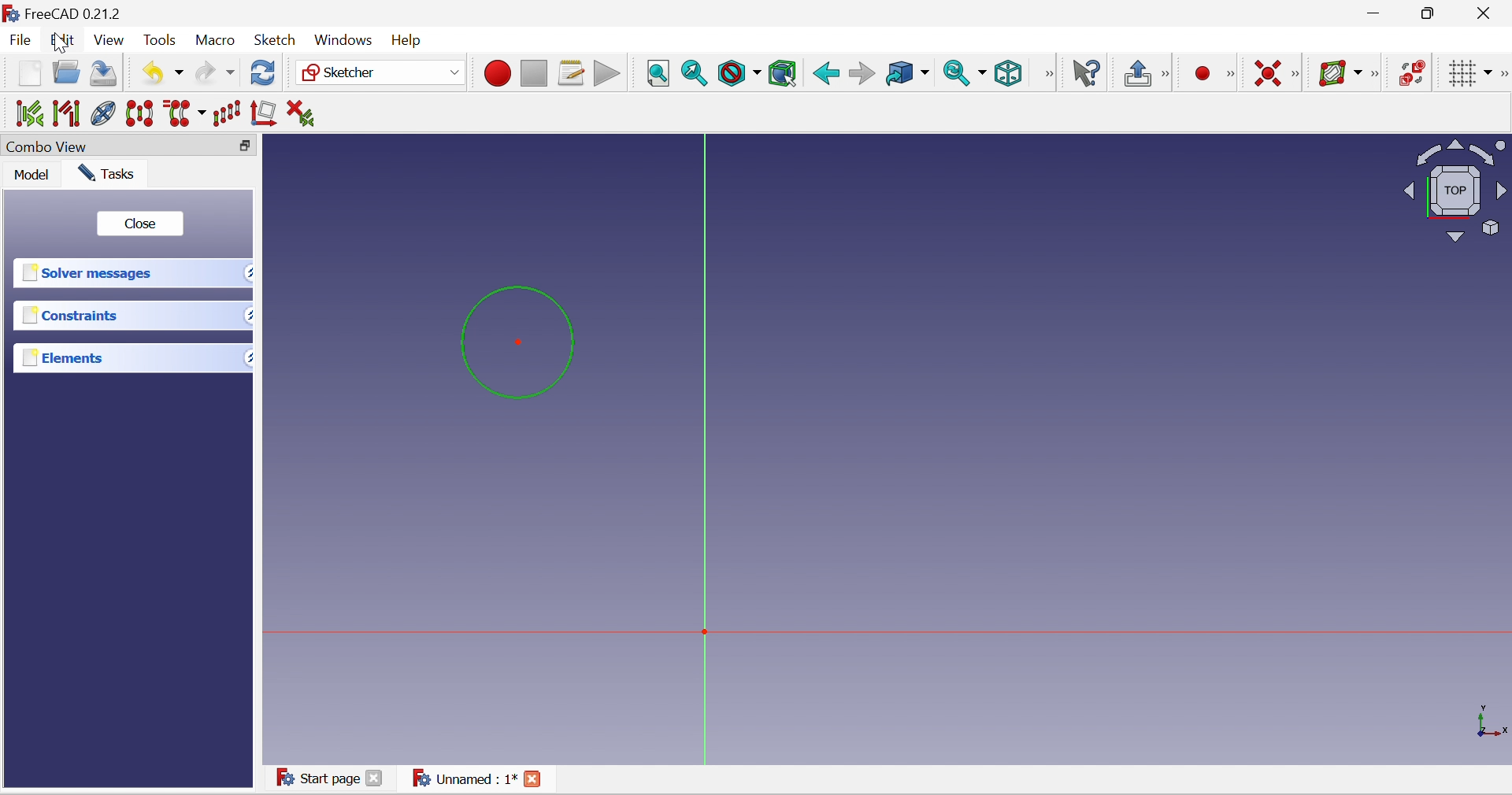 Image resolution: width=1512 pixels, height=795 pixels. Describe the element at coordinates (1298, 76) in the screenshot. I see `[Sketcher constraints]]` at that location.